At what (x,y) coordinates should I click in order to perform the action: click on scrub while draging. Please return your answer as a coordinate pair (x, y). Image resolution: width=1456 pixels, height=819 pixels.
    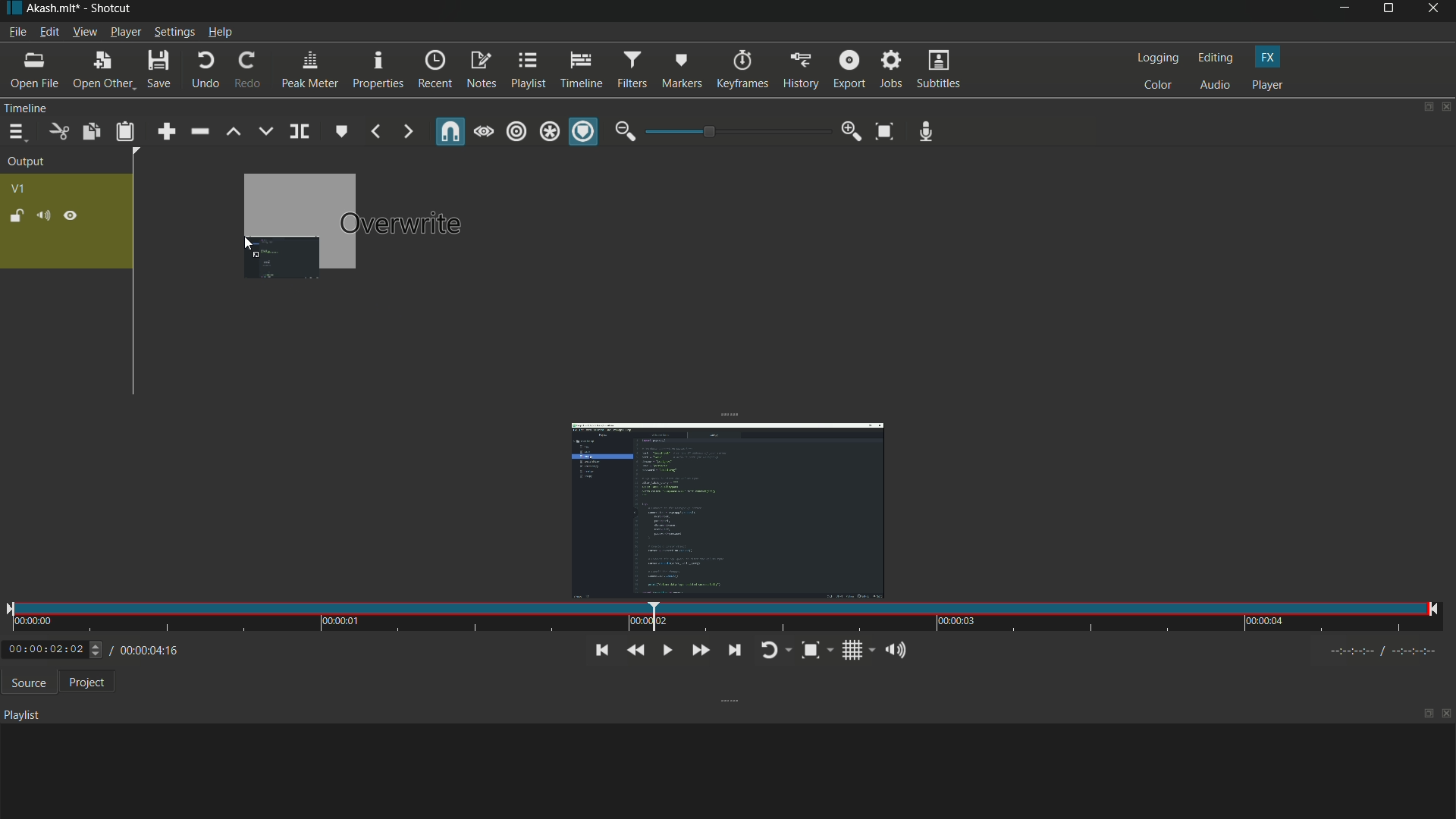
    Looking at the image, I should click on (485, 131).